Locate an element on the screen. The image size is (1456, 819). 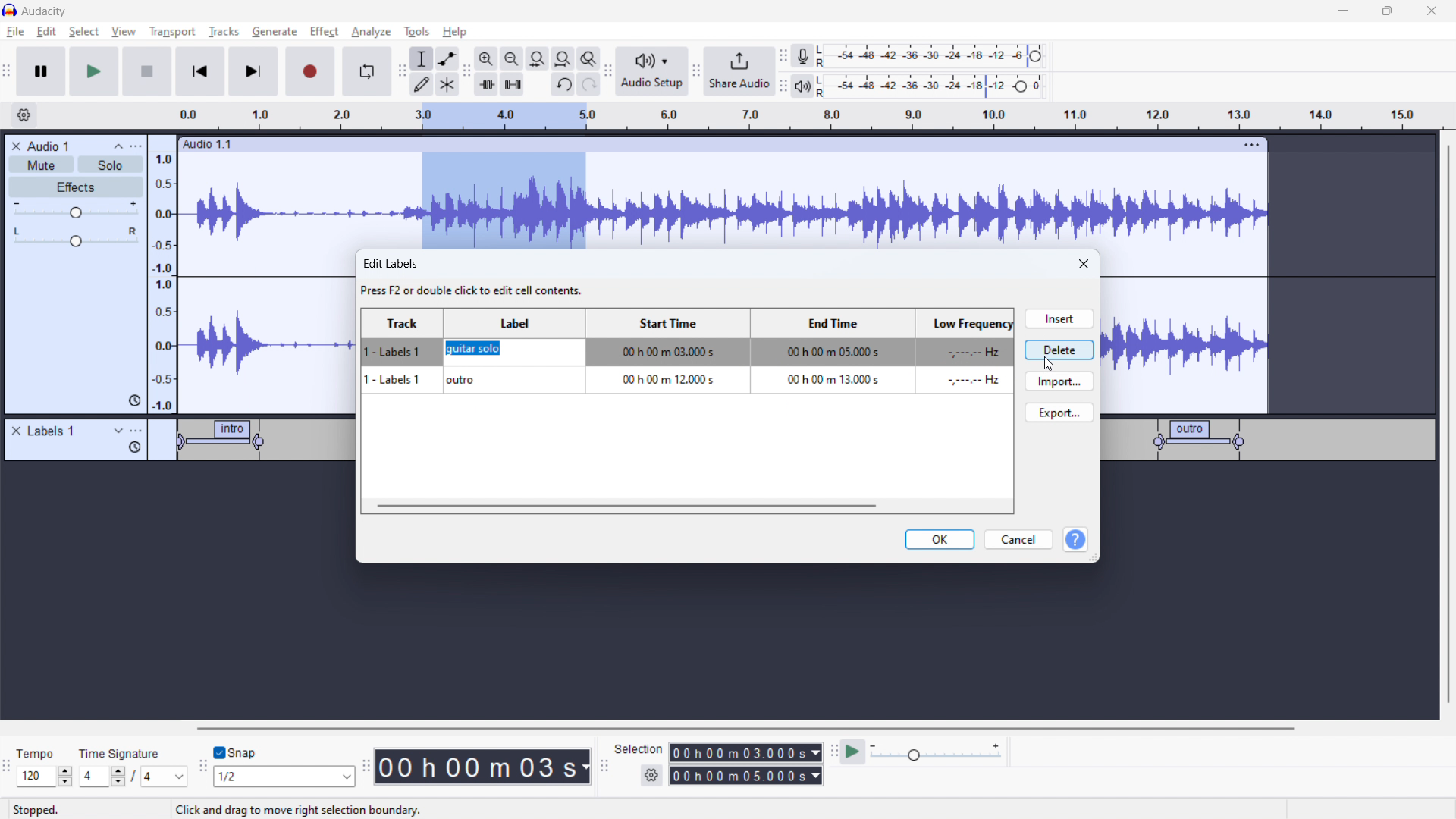
end time is located at coordinates (829, 365).